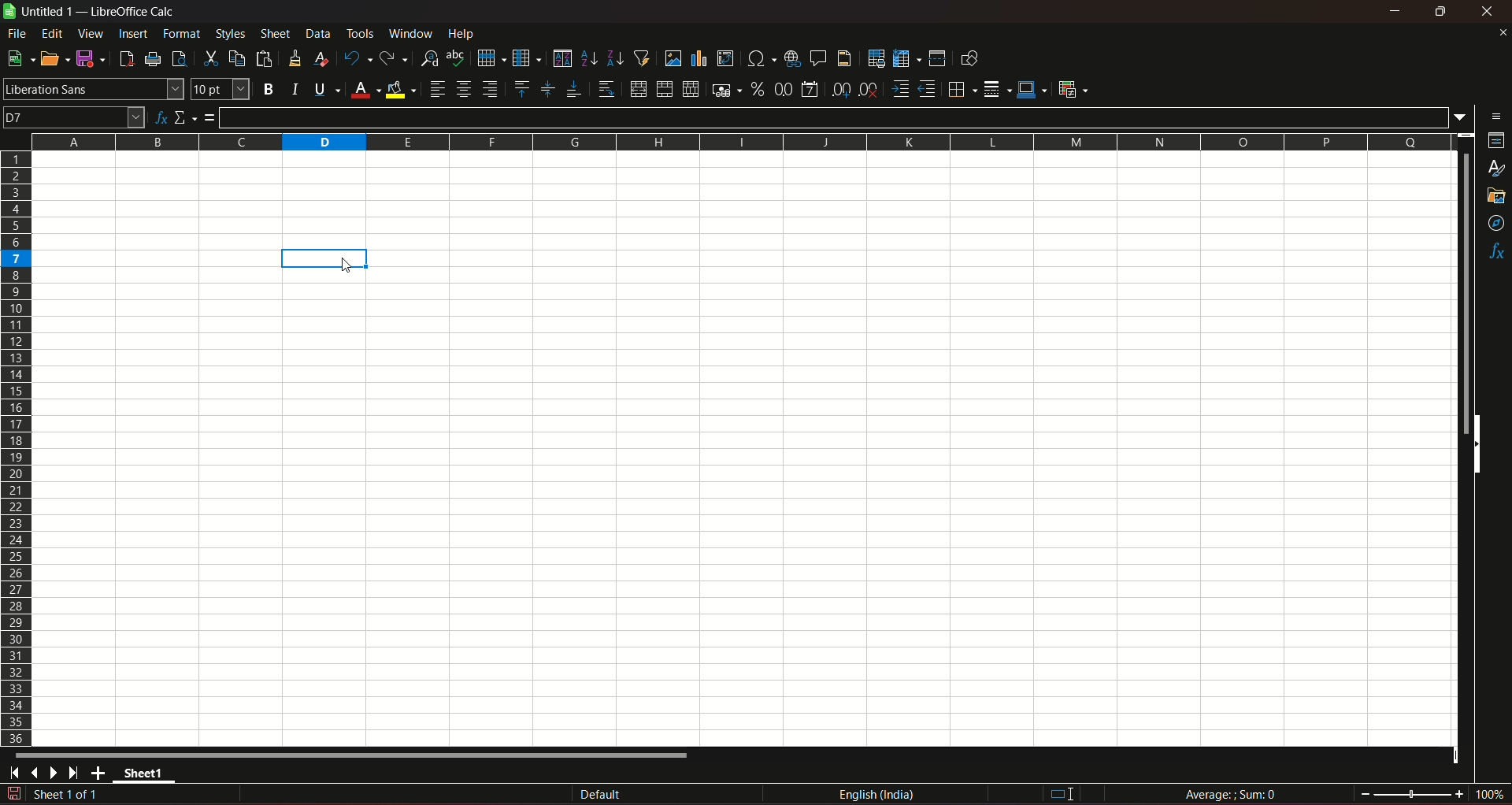 The height and width of the screenshot is (805, 1512). Describe the element at coordinates (347, 267) in the screenshot. I see `cursor` at that location.